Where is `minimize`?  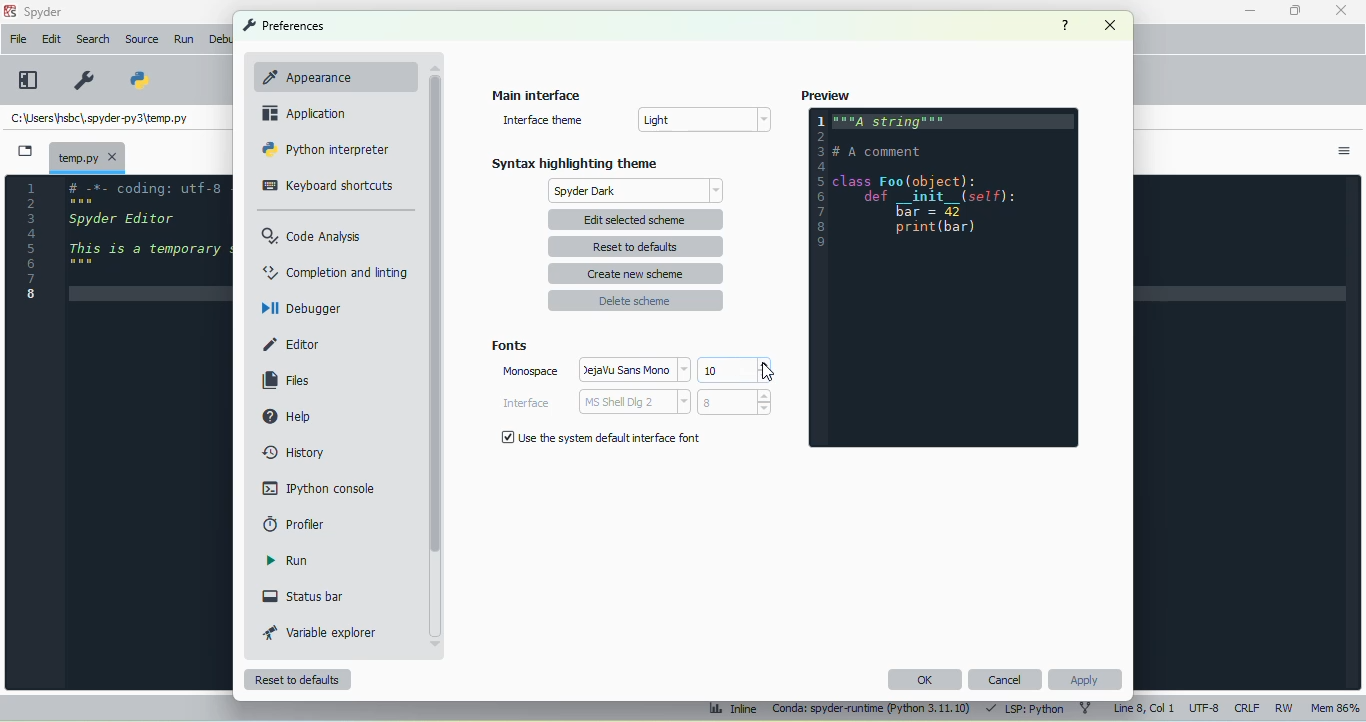 minimize is located at coordinates (1251, 11).